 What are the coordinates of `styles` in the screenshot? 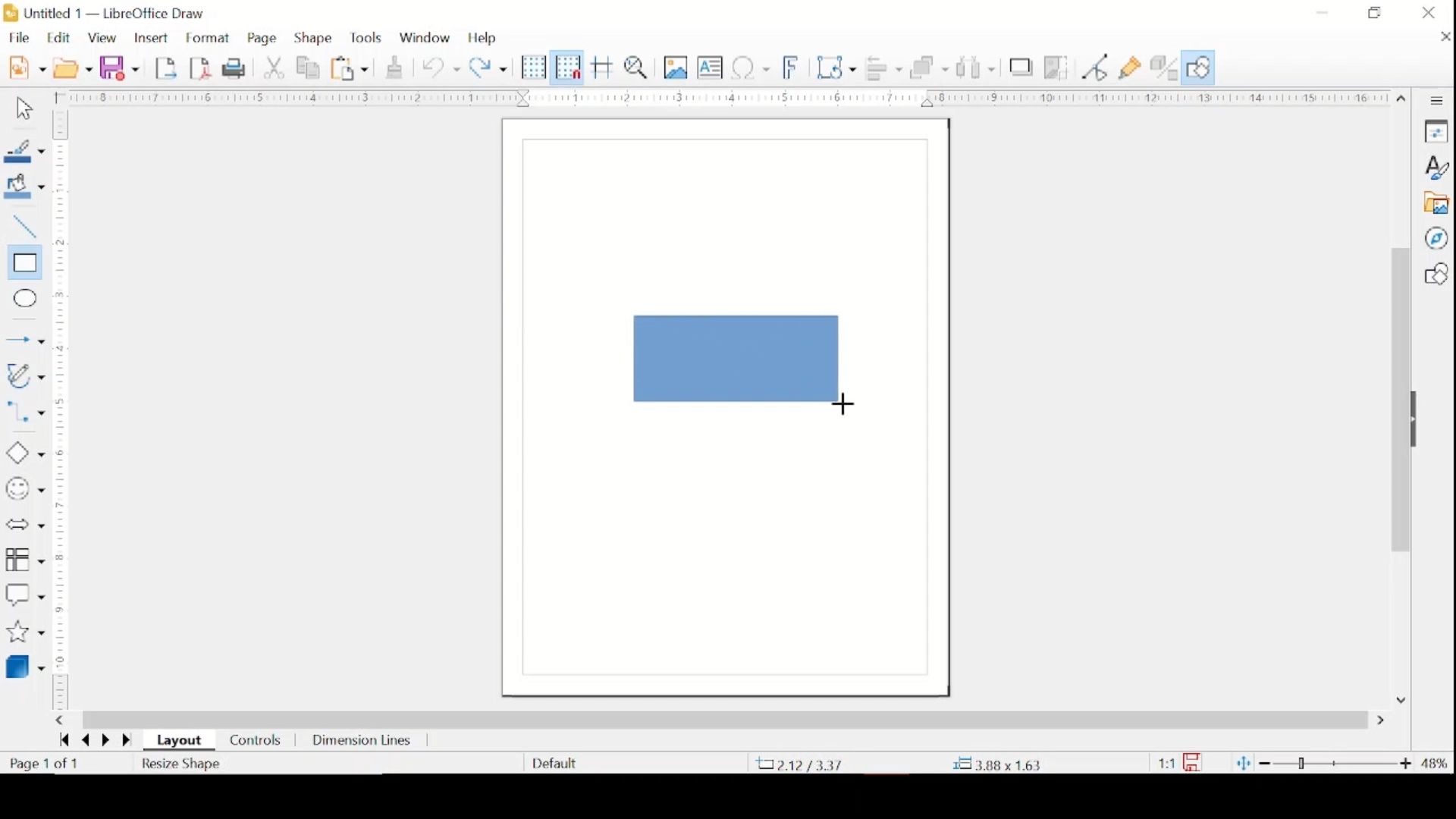 It's located at (1436, 168).